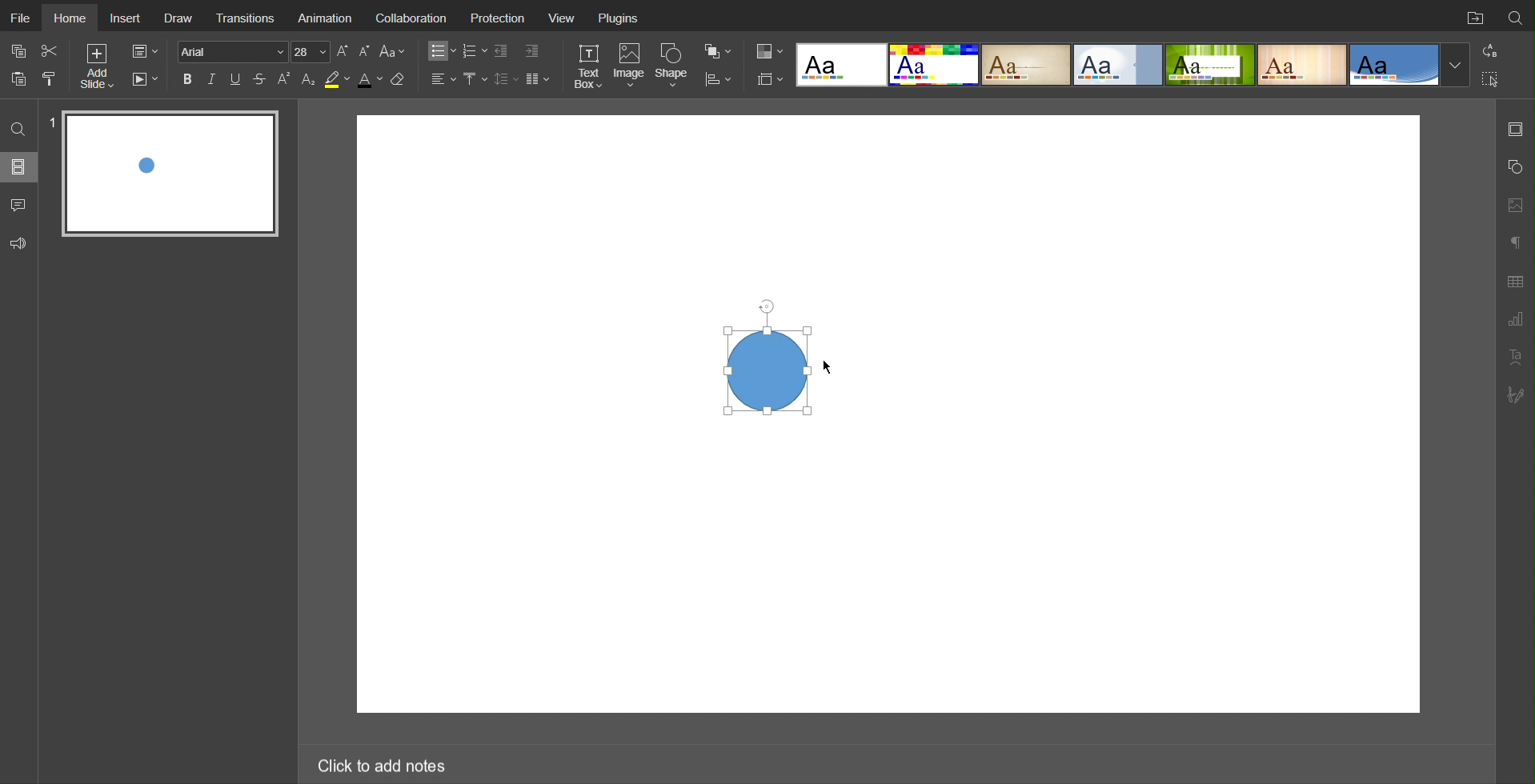  What do you see at coordinates (285, 79) in the screenshot?
I see `Superscript` at bounding box center [285, 79].